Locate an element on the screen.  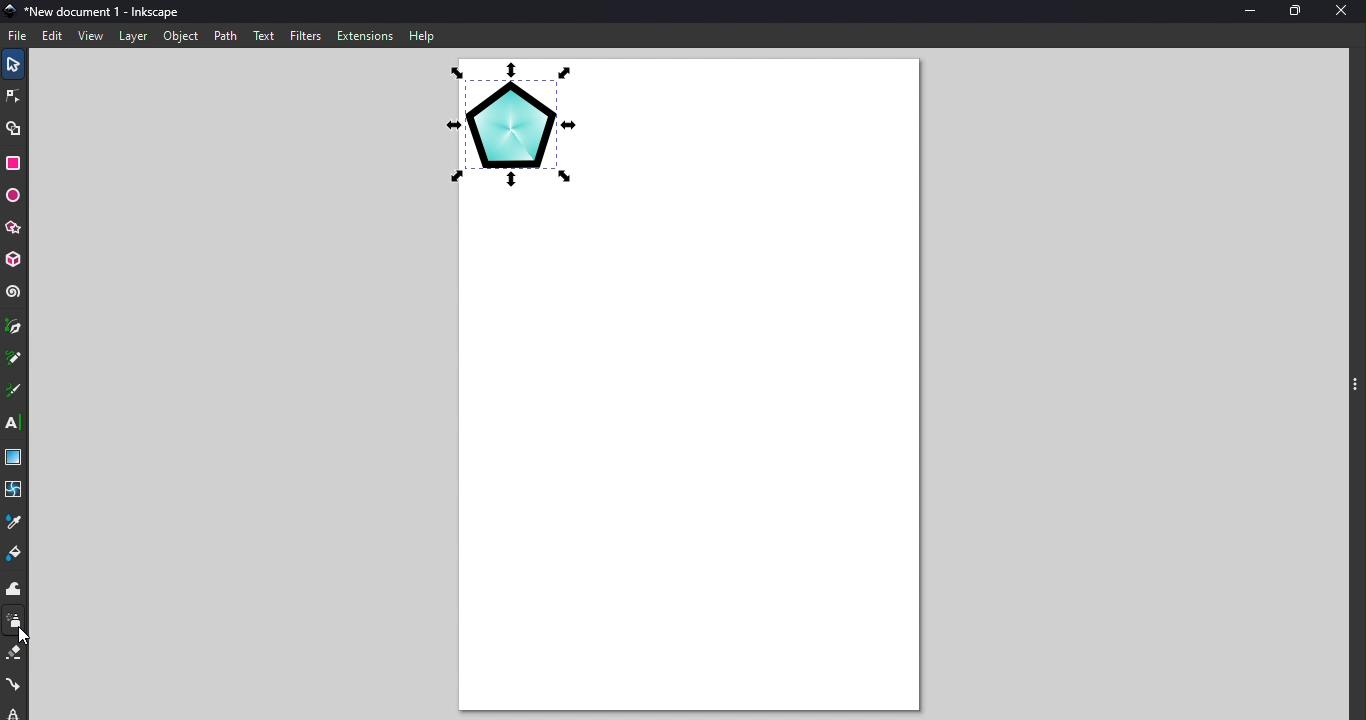
Mesh tool is located at coordinates (16, 486).